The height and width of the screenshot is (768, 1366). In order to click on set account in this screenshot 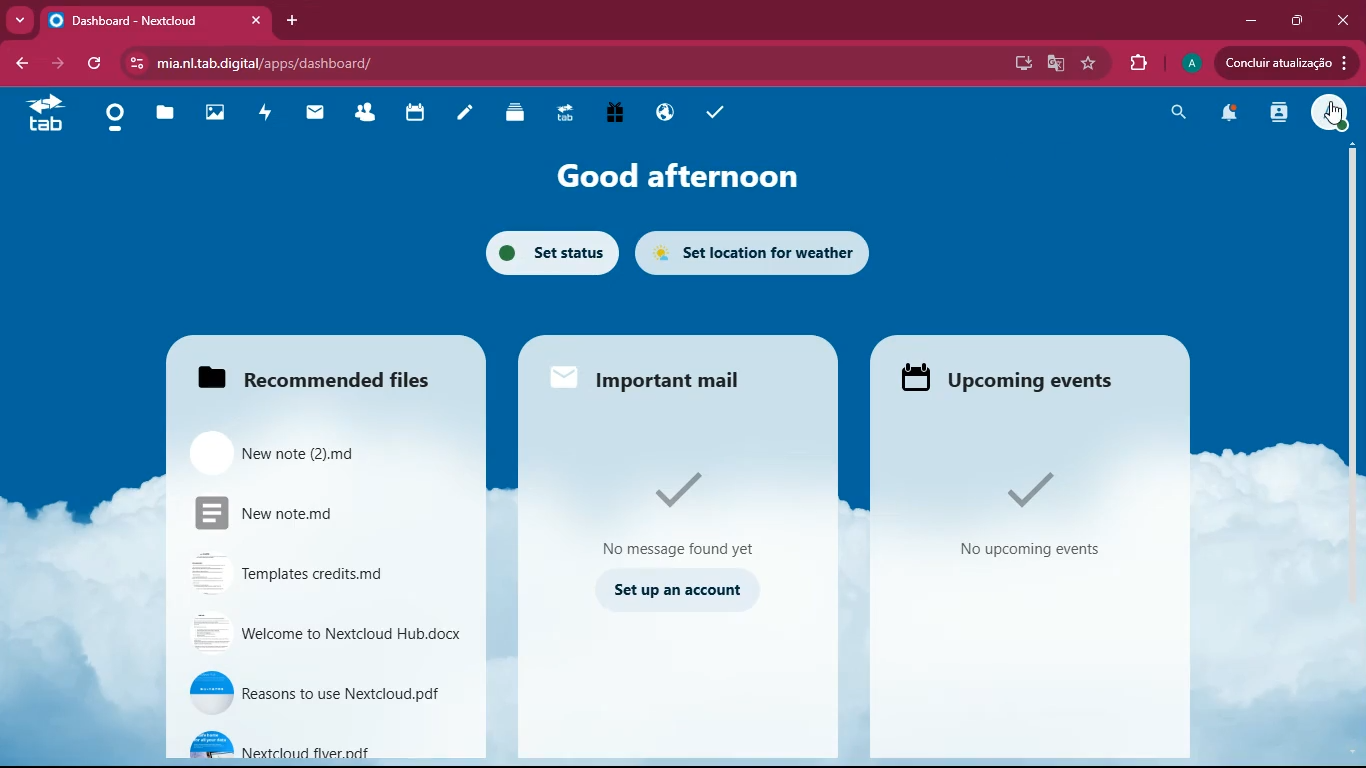, I will do `click(674, 588)`.